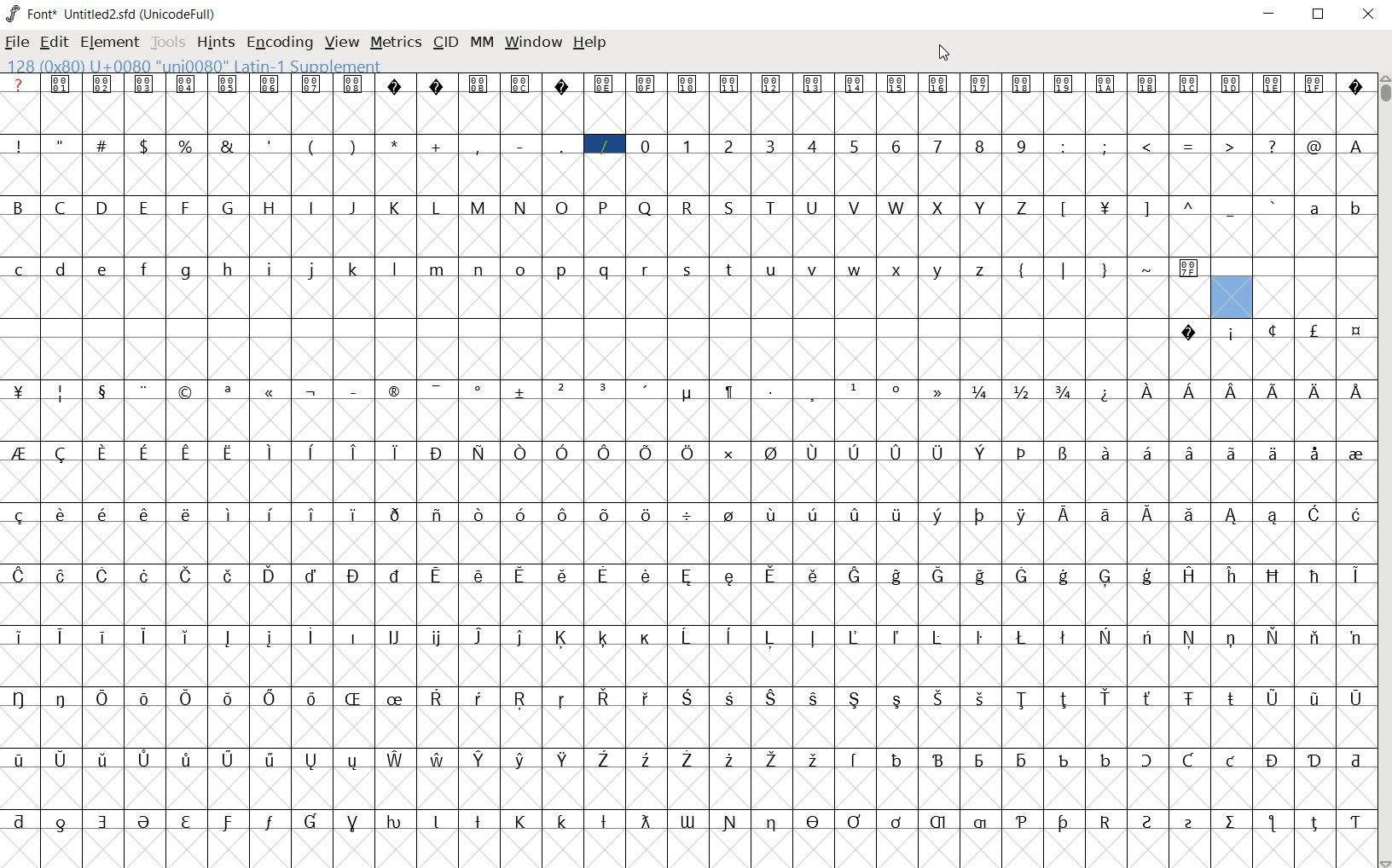  I want to click on glyph, so click(1315, 637).